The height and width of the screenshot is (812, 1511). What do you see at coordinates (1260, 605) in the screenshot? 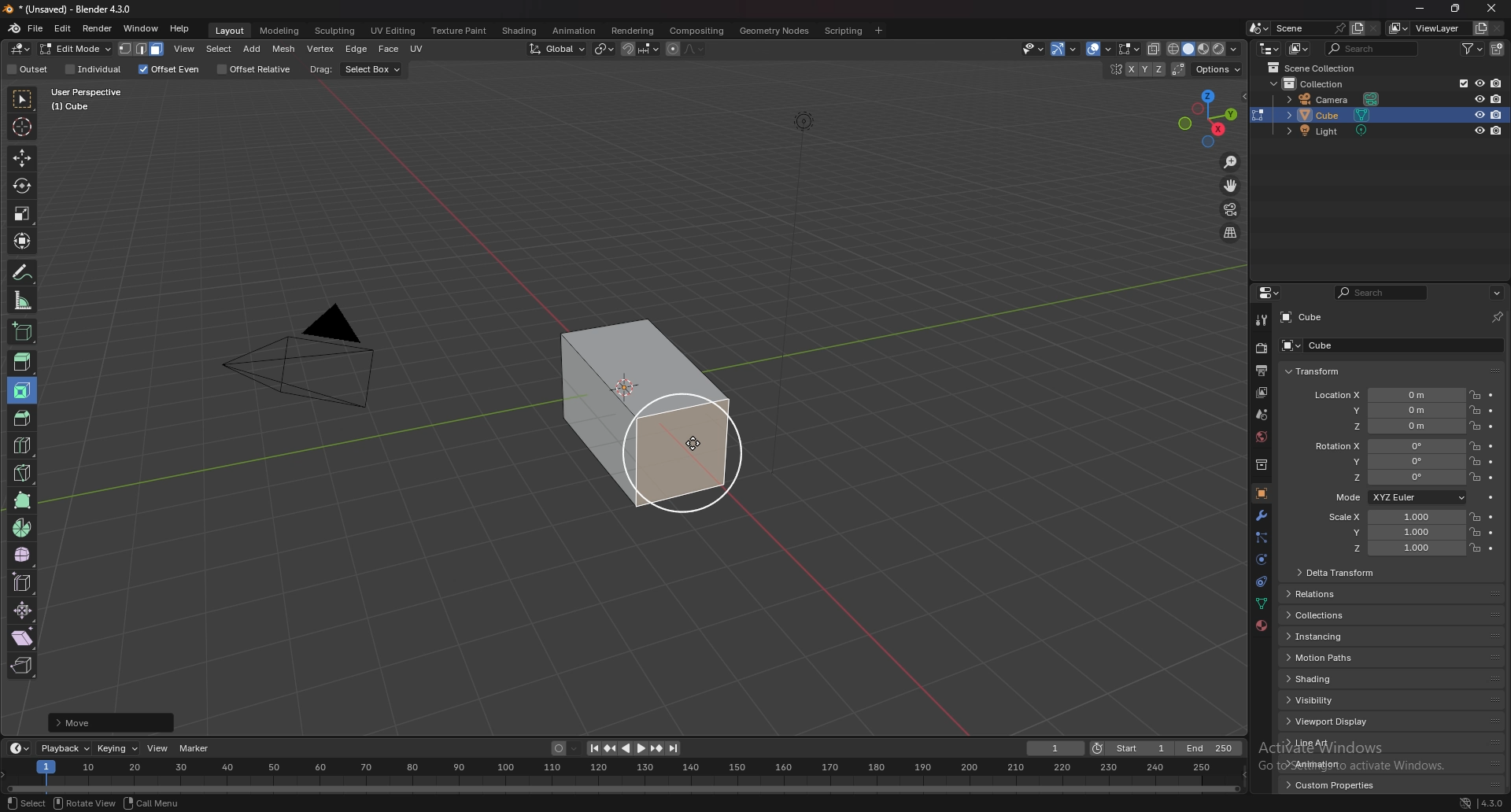
I see `data` at bounding box center [1260, 605].